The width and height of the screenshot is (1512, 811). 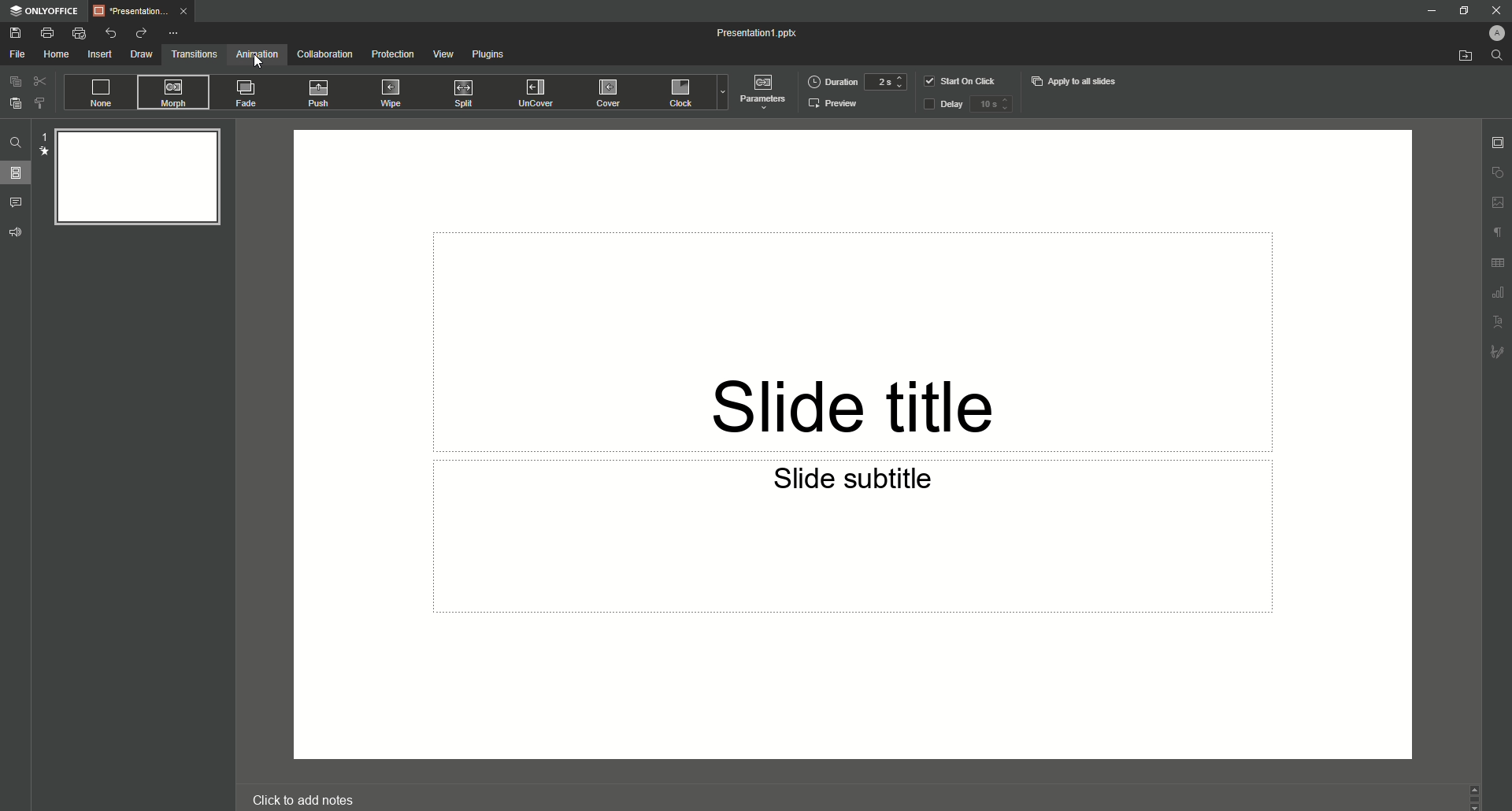 I want to click on Duration: 2s, so click(x=857, y=82).